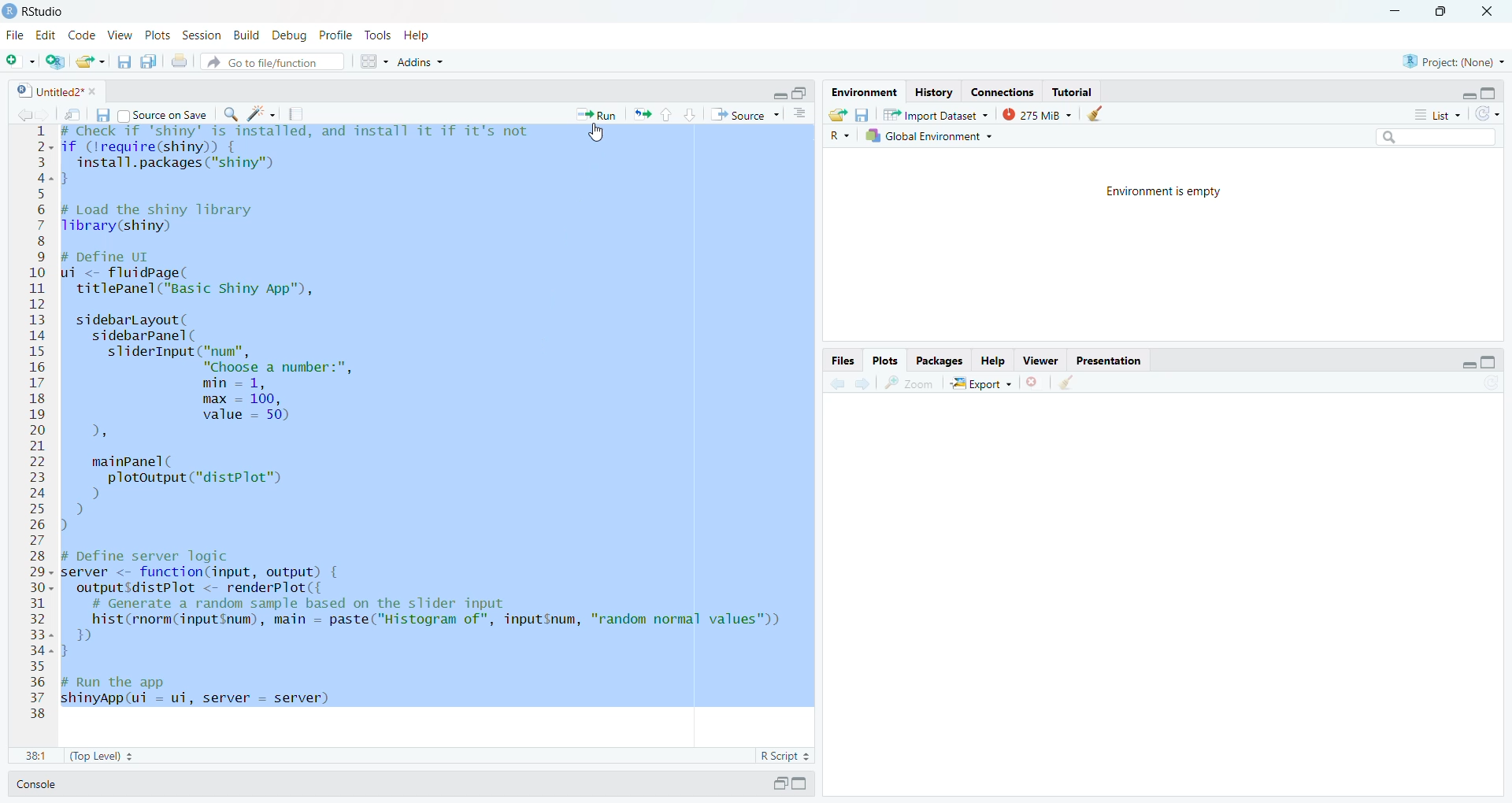 The width and height of the screenshot is (1512, 803). I want to click on minimize, so click(1395, 11).